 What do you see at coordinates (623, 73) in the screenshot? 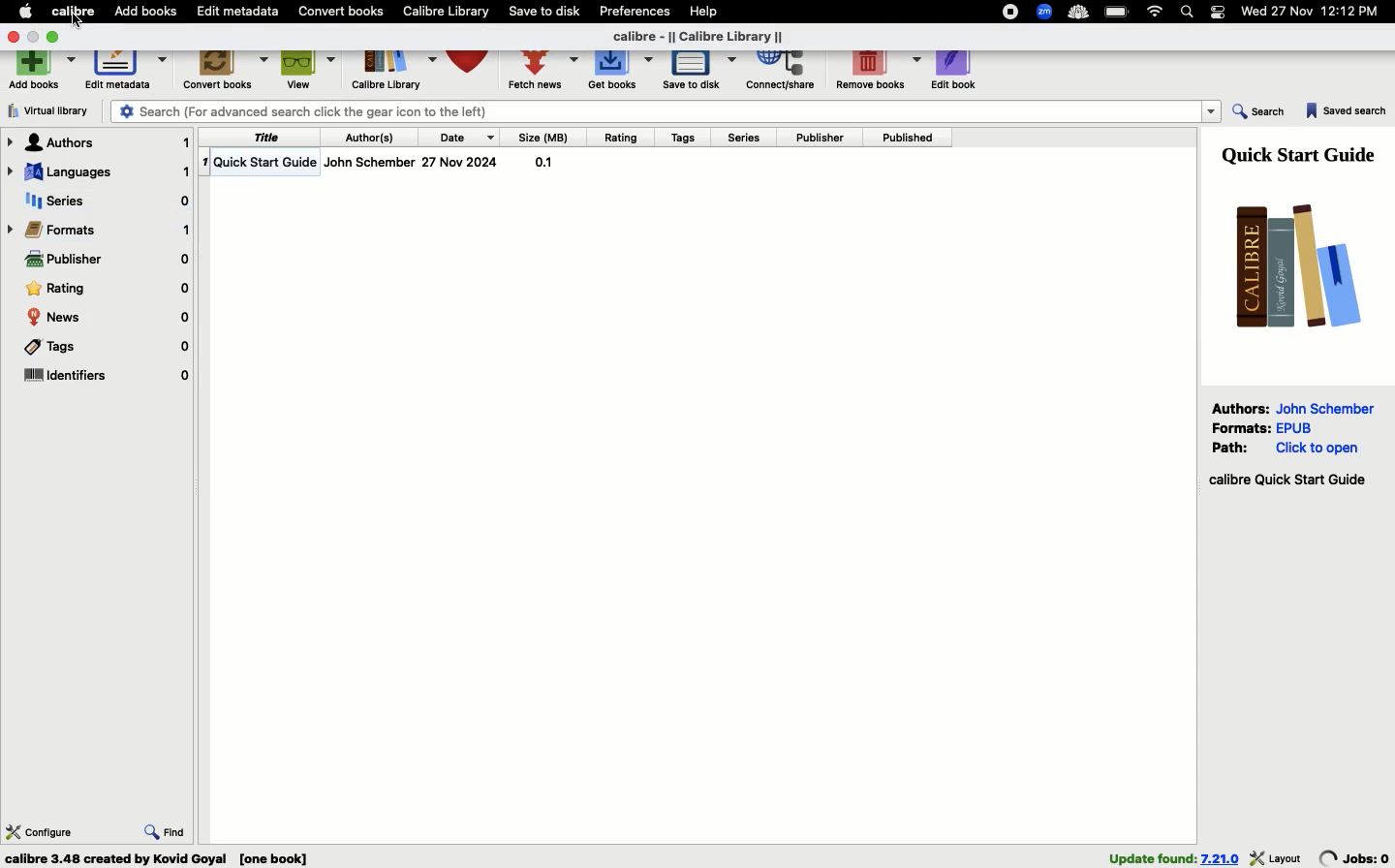
I see `Get books` at bounding box center [623, 73].